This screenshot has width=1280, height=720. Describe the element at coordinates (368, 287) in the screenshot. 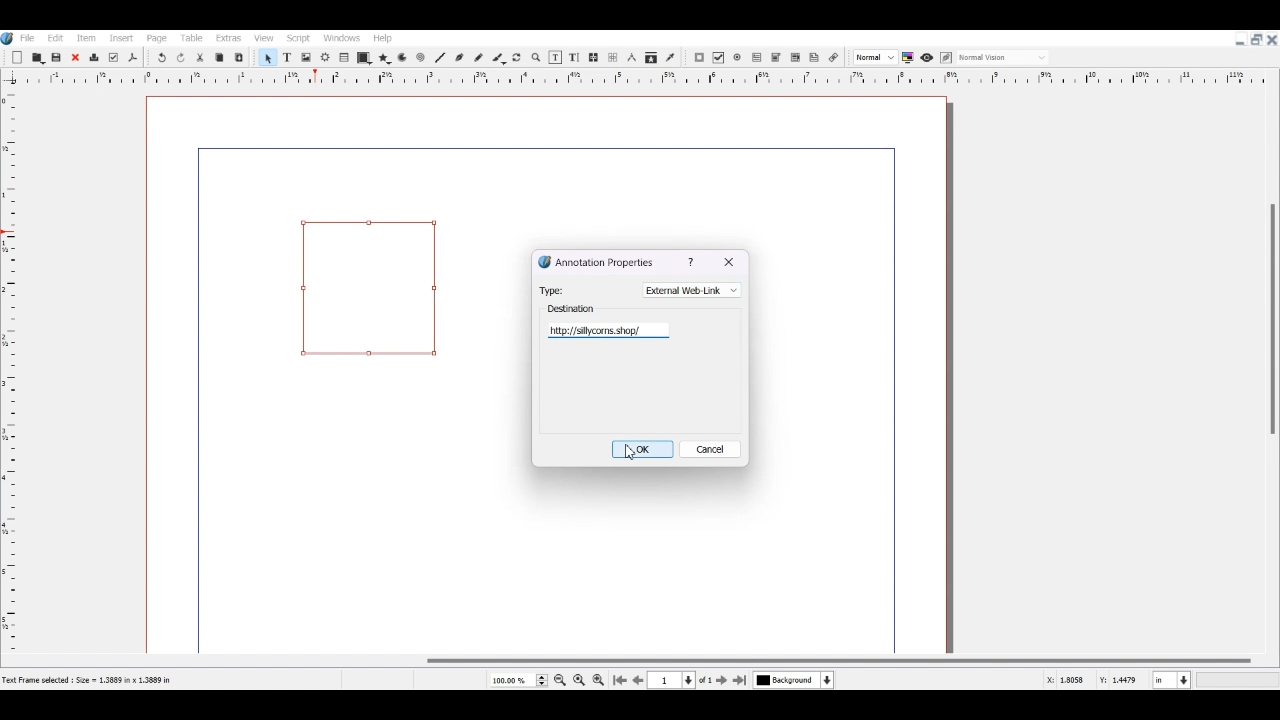

I see `Link Annotation` at that location.